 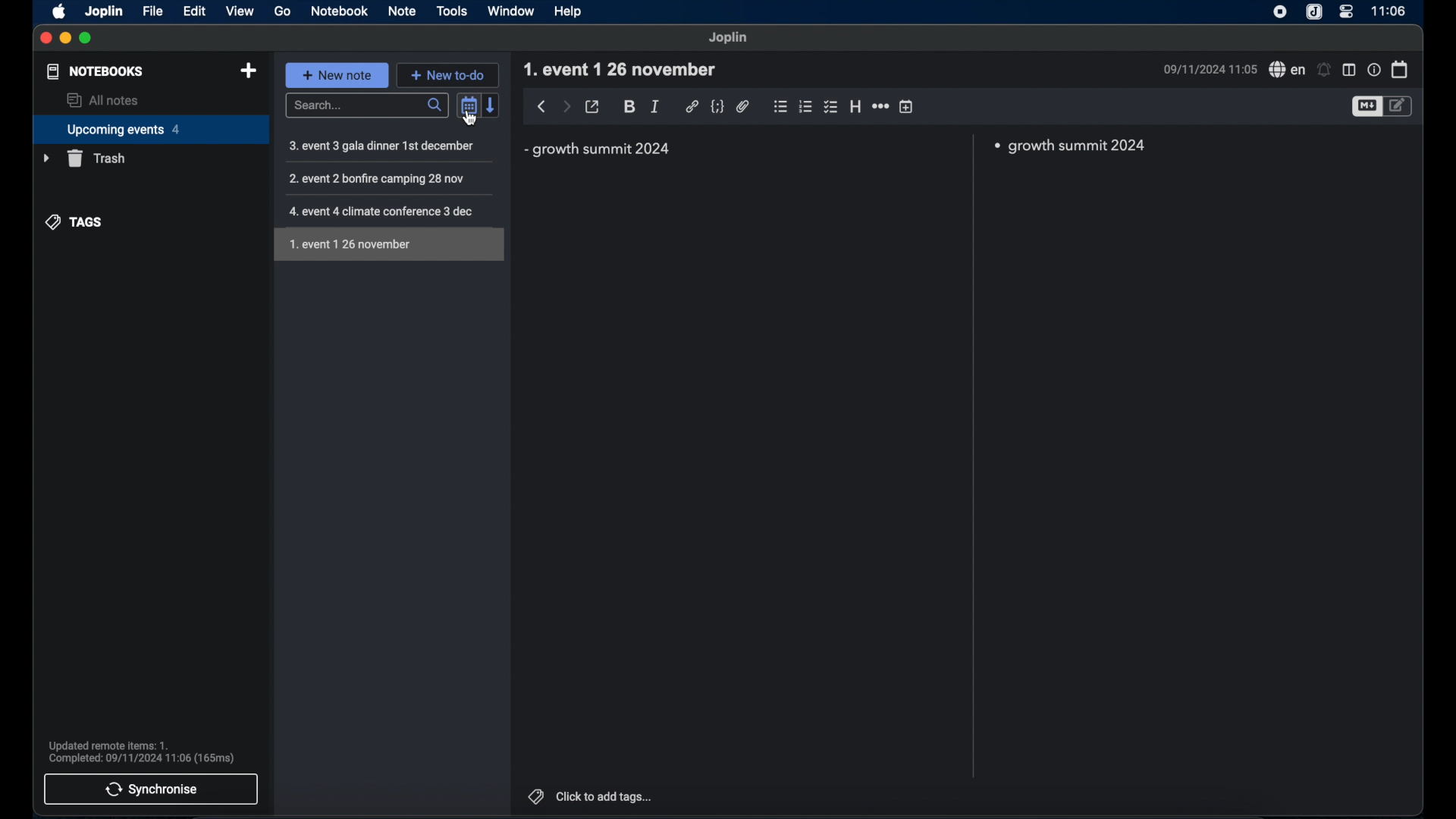 What do you see at coordinates (620, 69) in the screenshot?
I see `1. event 1 26 november` at bounding box center [620, 69].